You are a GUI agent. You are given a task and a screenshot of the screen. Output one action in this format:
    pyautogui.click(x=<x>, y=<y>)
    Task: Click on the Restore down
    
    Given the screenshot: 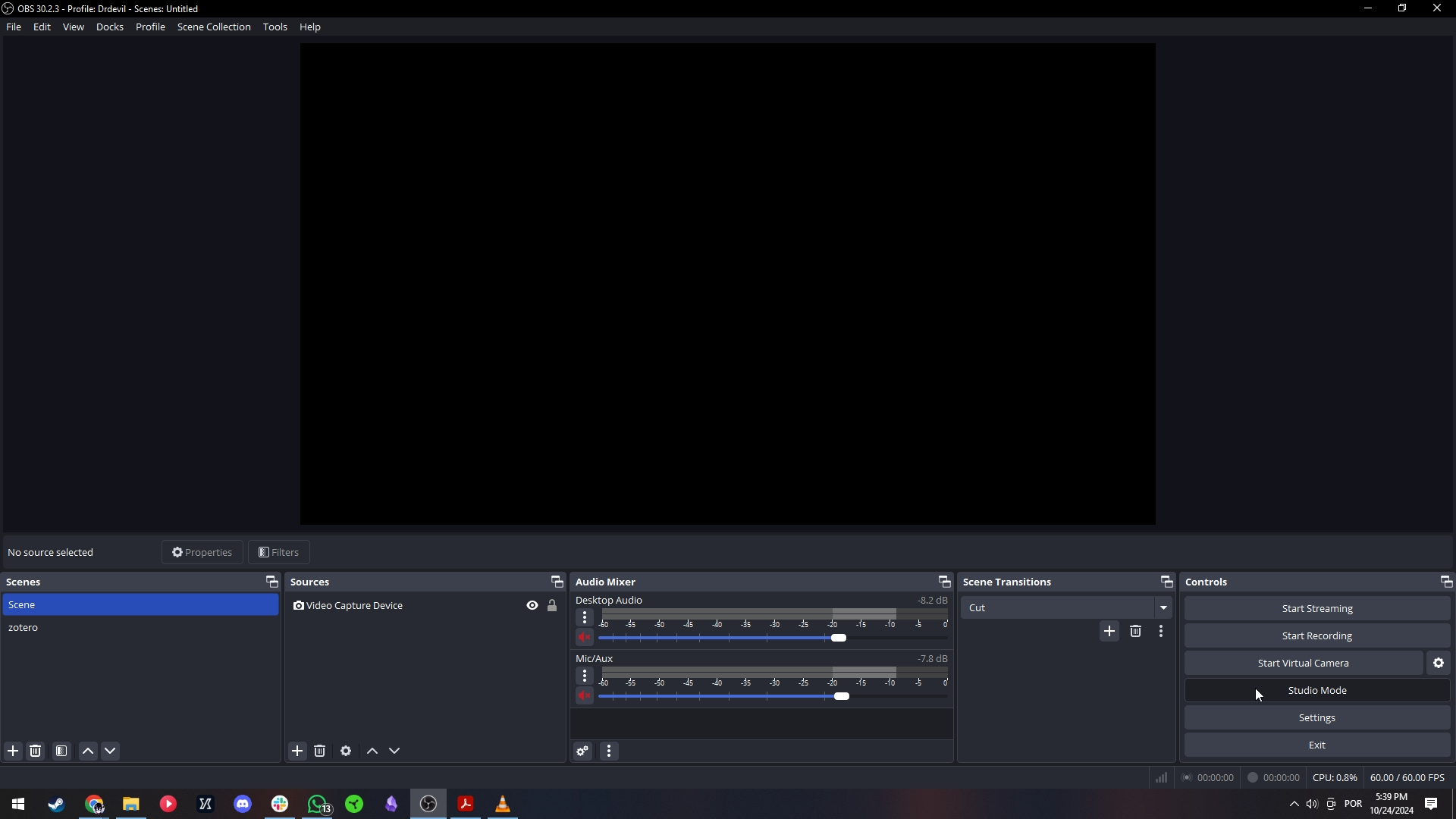 What is the action you would take?
    pyautogui.click(x=1402, y=9)
    